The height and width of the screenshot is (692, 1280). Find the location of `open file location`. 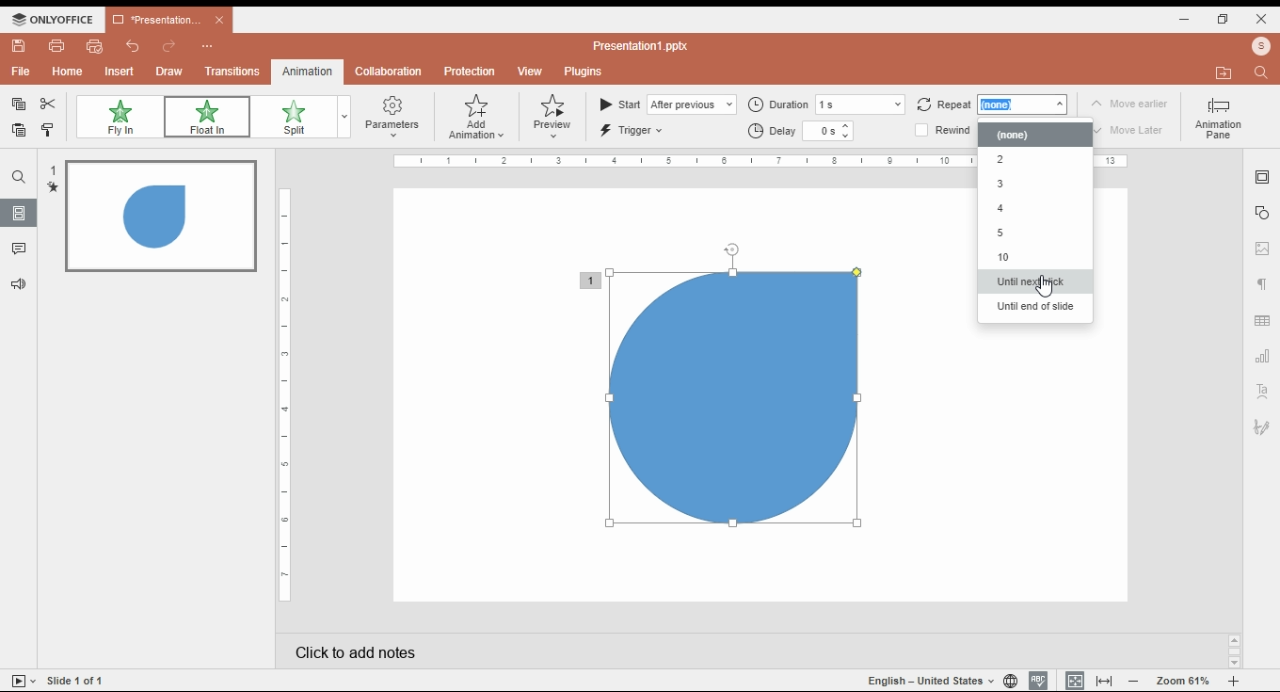

open file location is located at coordinates (1261, 47).